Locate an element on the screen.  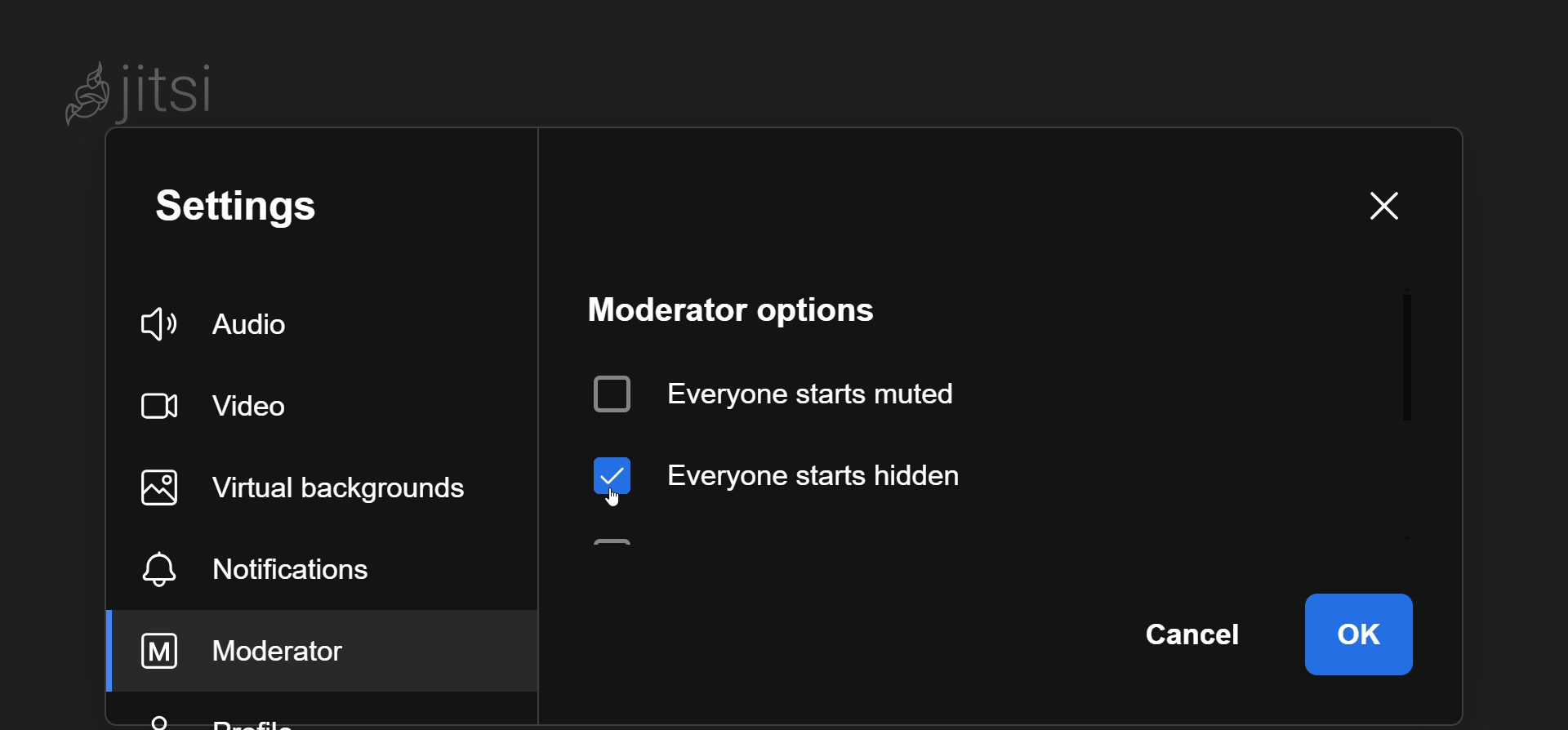
everyone starts muted is located at coordinates (799, 391).